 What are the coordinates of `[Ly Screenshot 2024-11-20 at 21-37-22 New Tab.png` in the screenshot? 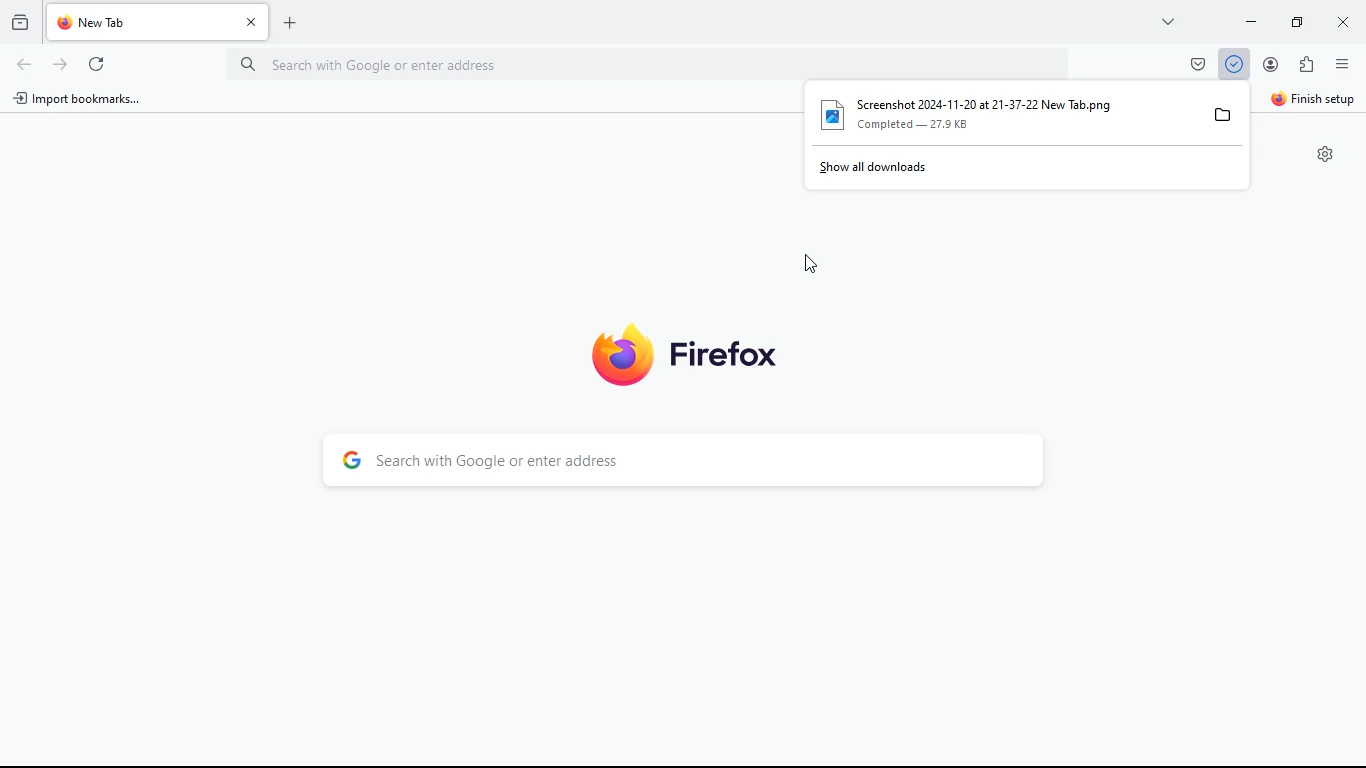 It's located at (963, 116).